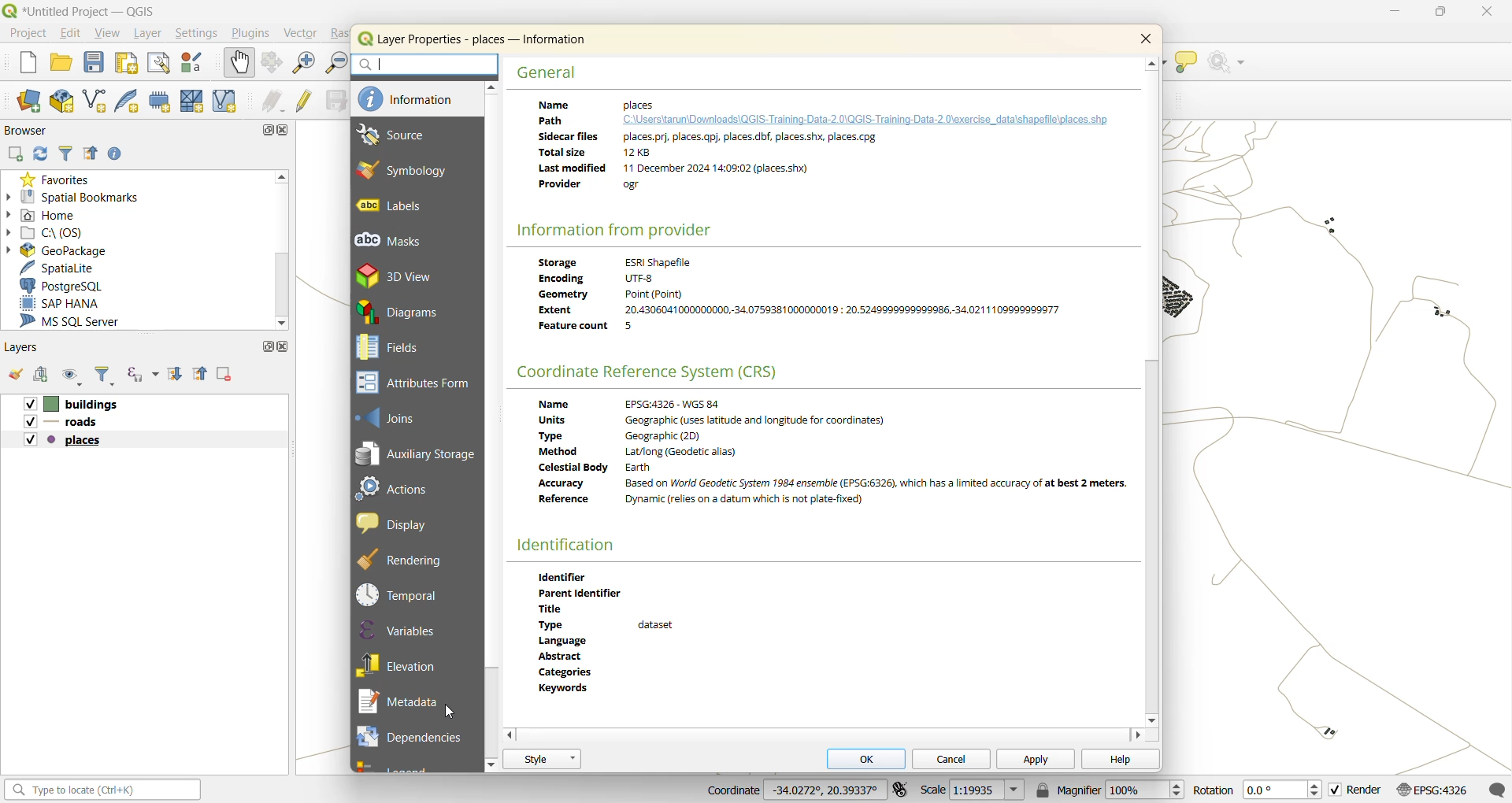  What do you see at coordinates (72, 265) in the screenshot?
I see `spatilite` at bounding box center [72, 265].